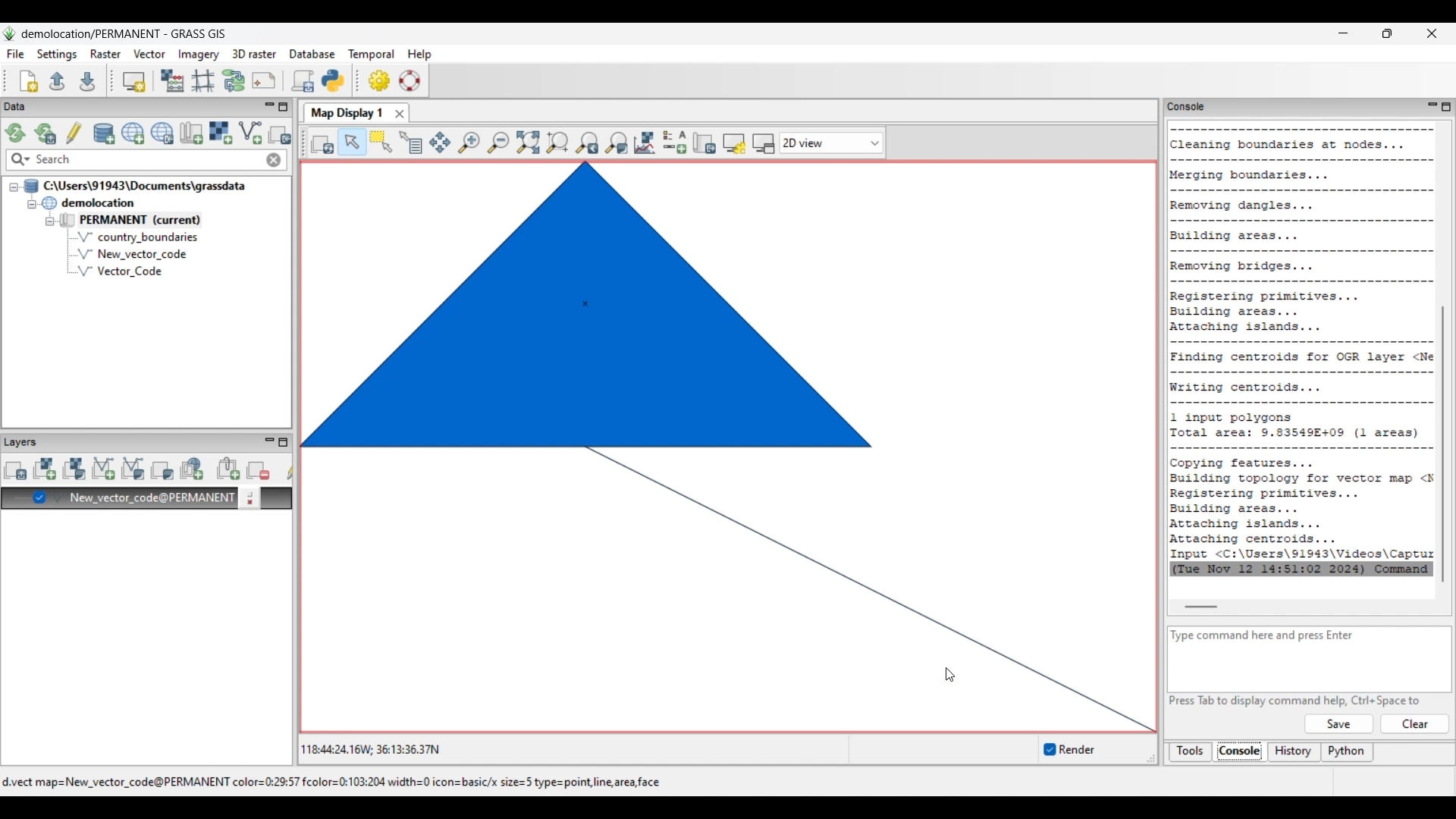  I want to click on Click to show/hide new layer added, so click(39, 497).